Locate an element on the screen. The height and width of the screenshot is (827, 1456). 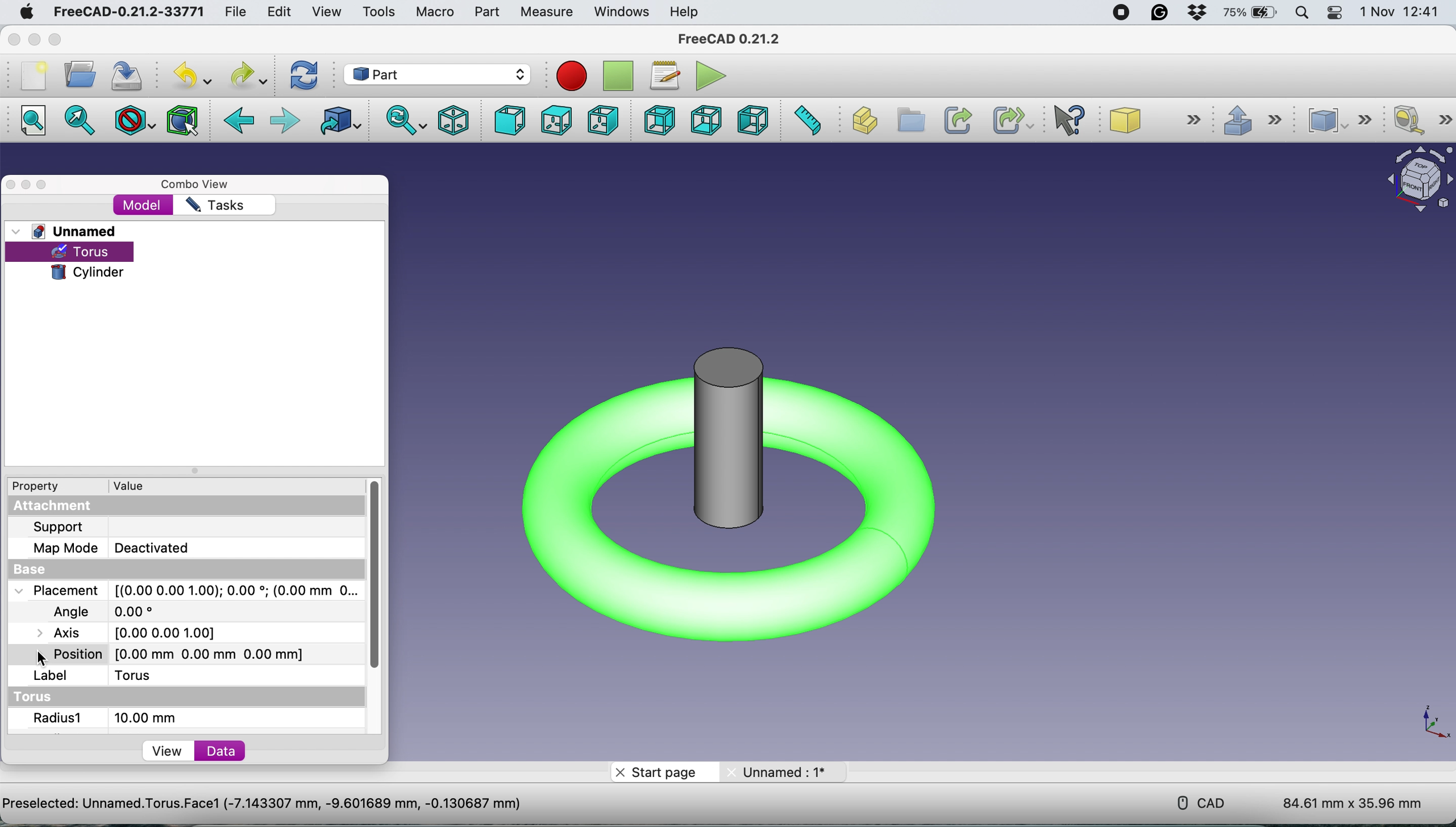
execute macros is located at coordinates (714, 77).